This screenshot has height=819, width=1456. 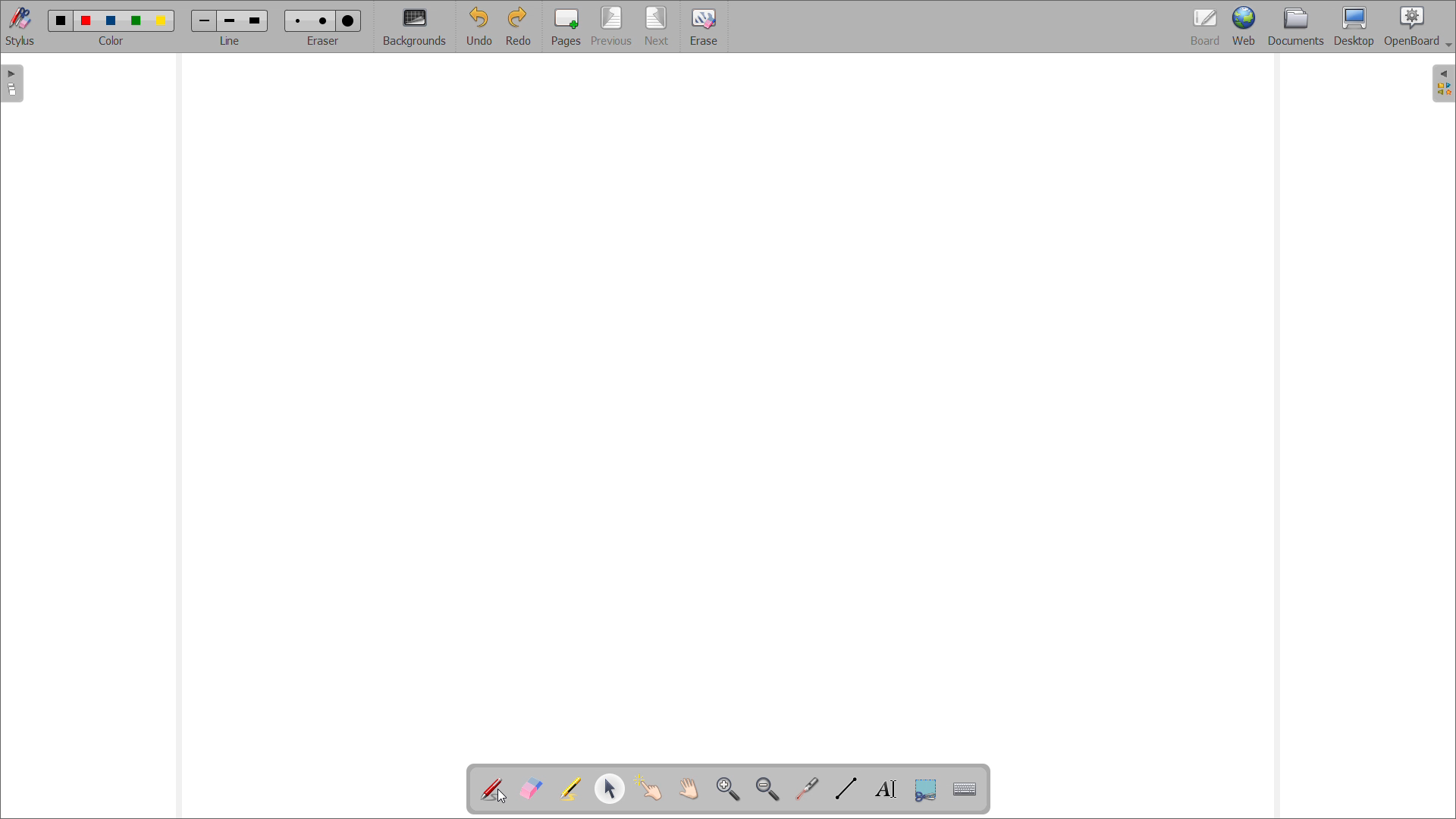 What do you see at coordinates (88, 20) in the screenshot?
I see `color` at bounding box center [88, 20].